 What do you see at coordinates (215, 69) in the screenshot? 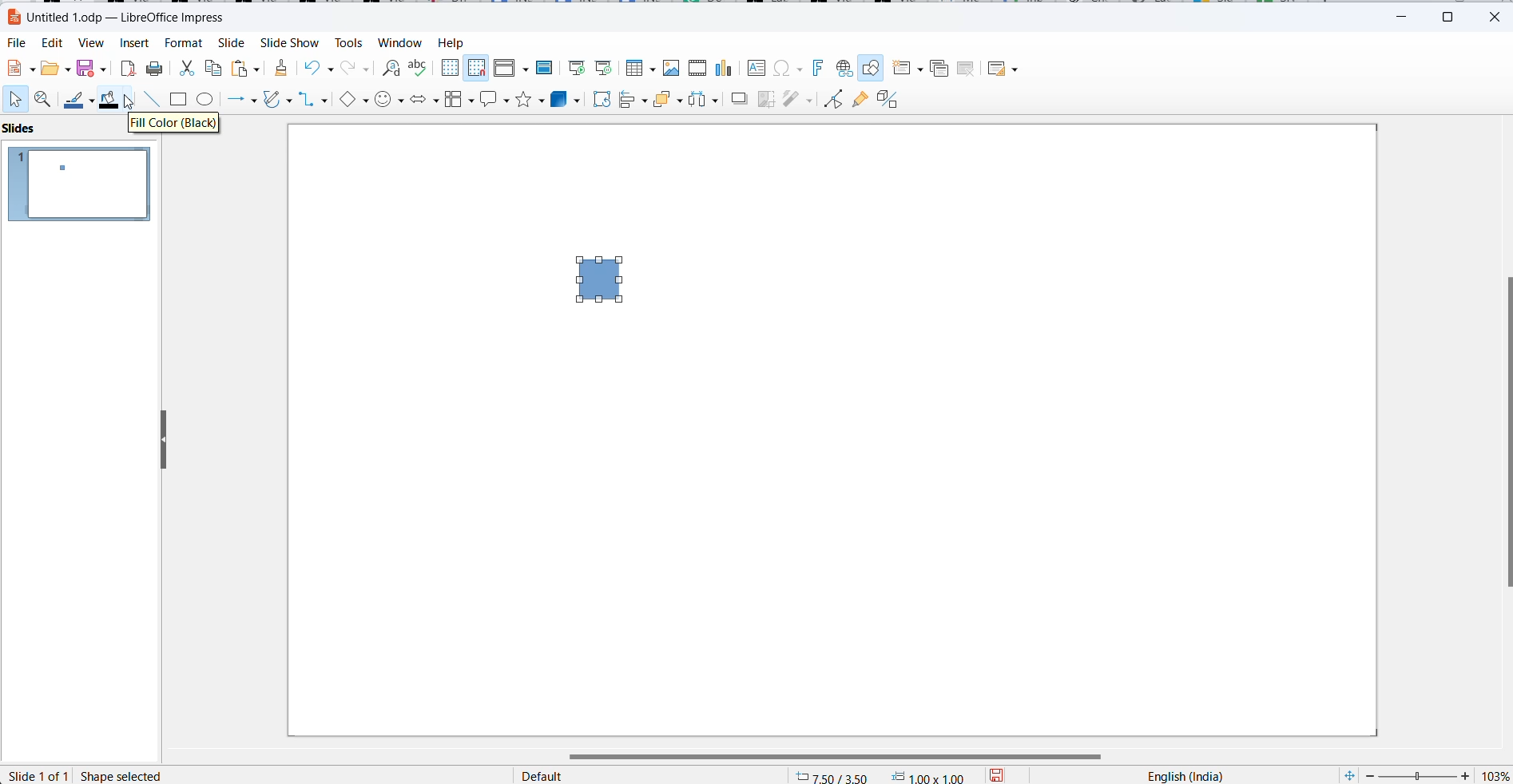
I see `copy` at bounding box center [215, 69].